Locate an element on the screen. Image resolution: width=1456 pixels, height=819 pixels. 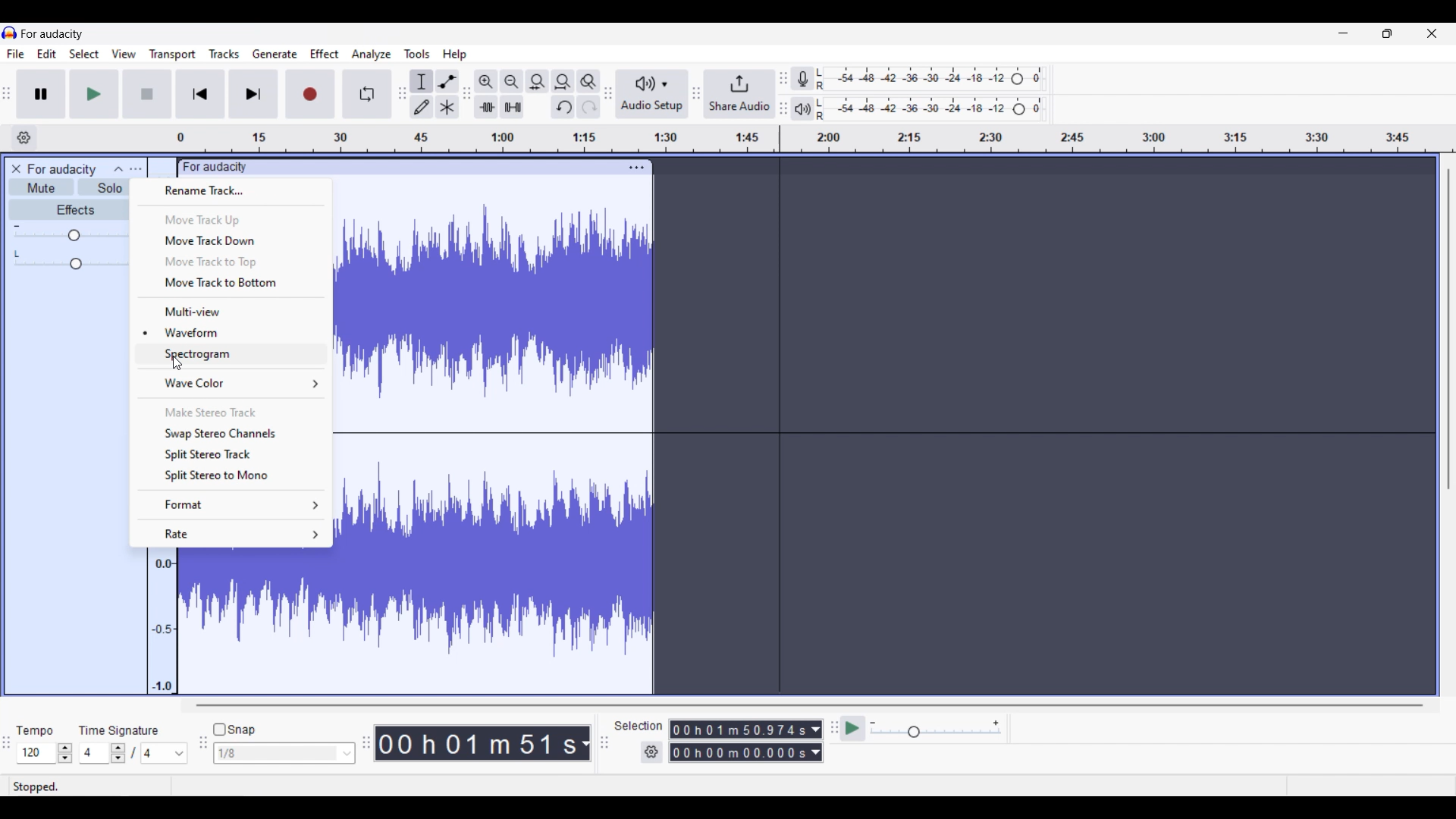
Snap options is located at coordinates (285, 753).